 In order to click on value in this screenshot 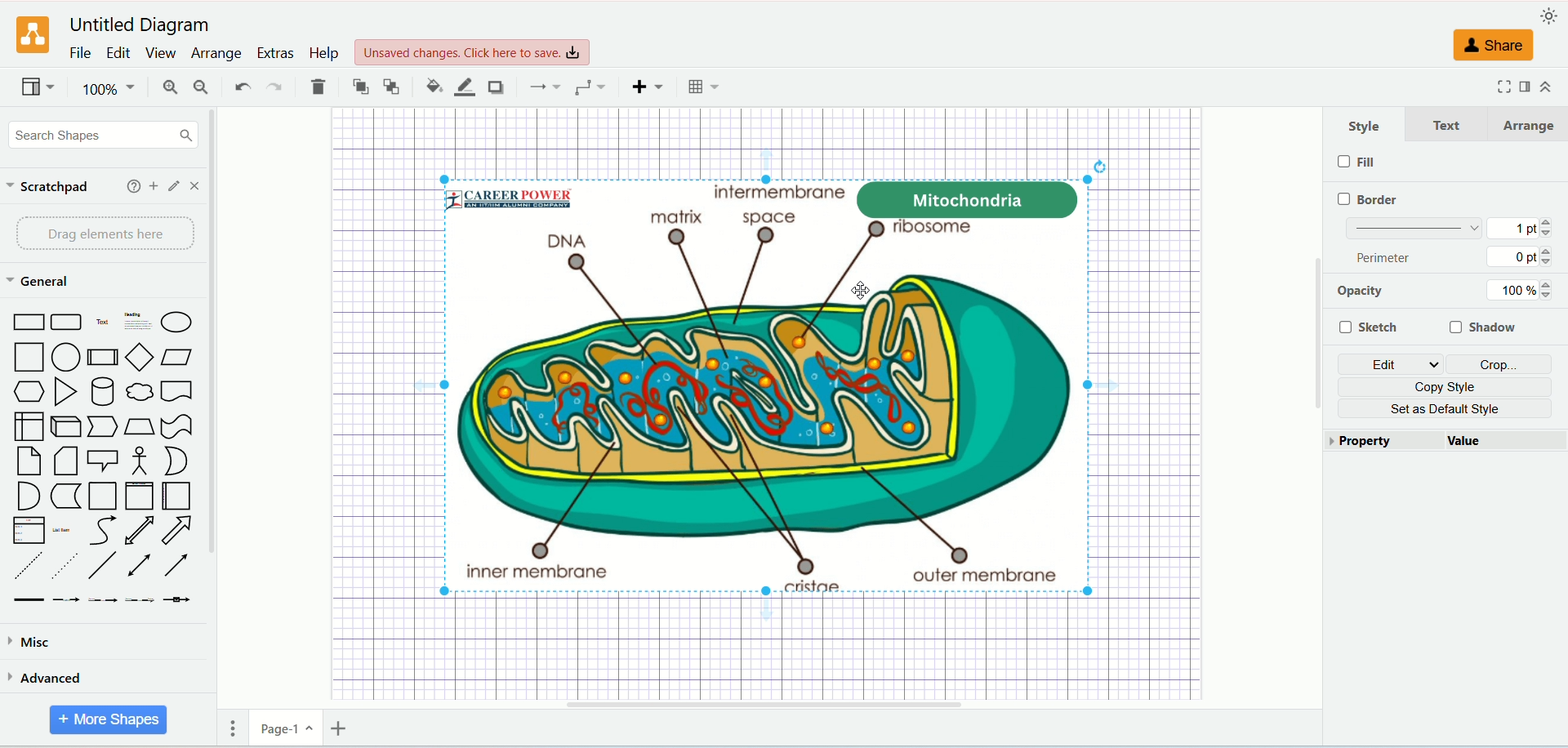, I will do `click(1503, 443)`.